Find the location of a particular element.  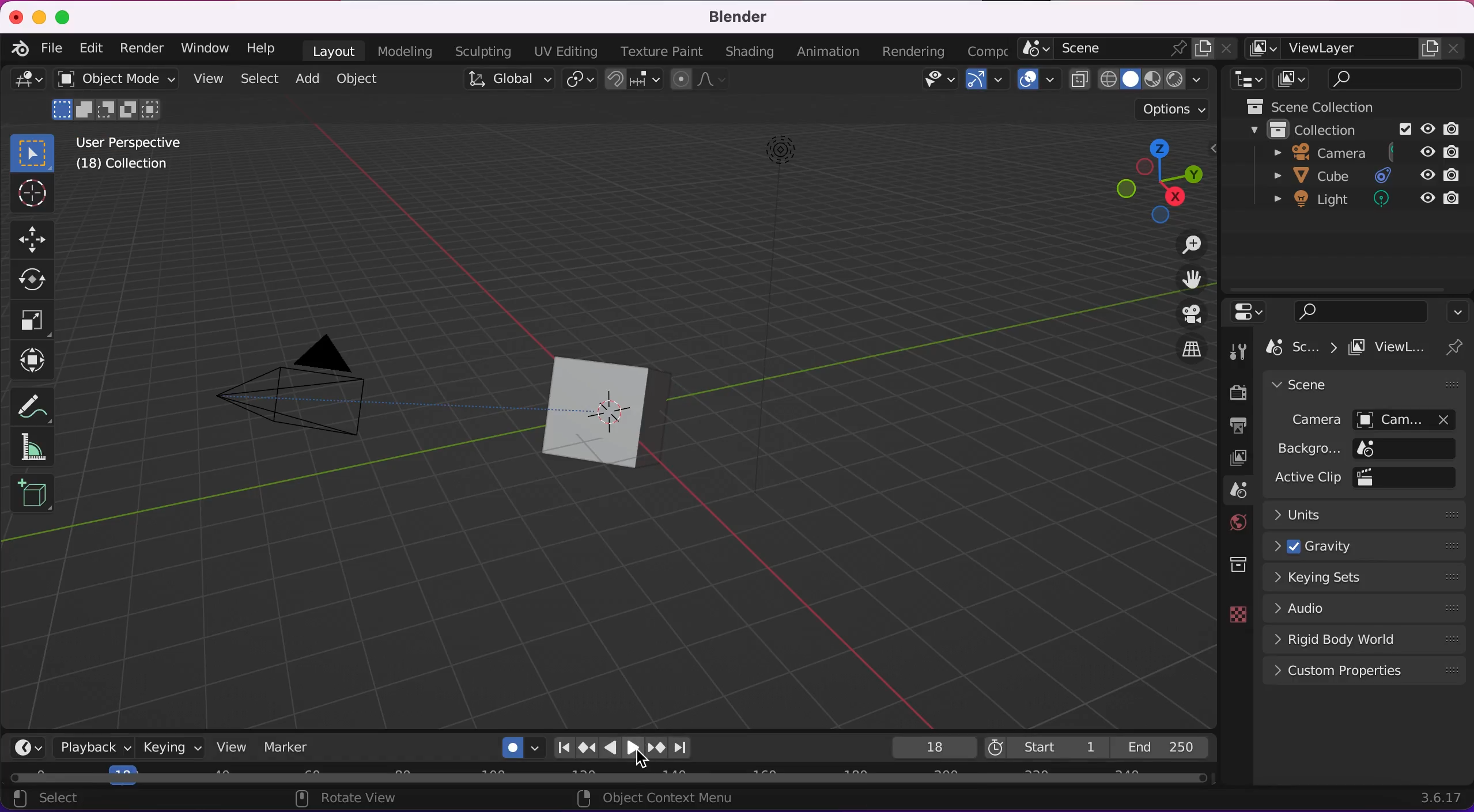

search is located at coordinates (1363, 311).